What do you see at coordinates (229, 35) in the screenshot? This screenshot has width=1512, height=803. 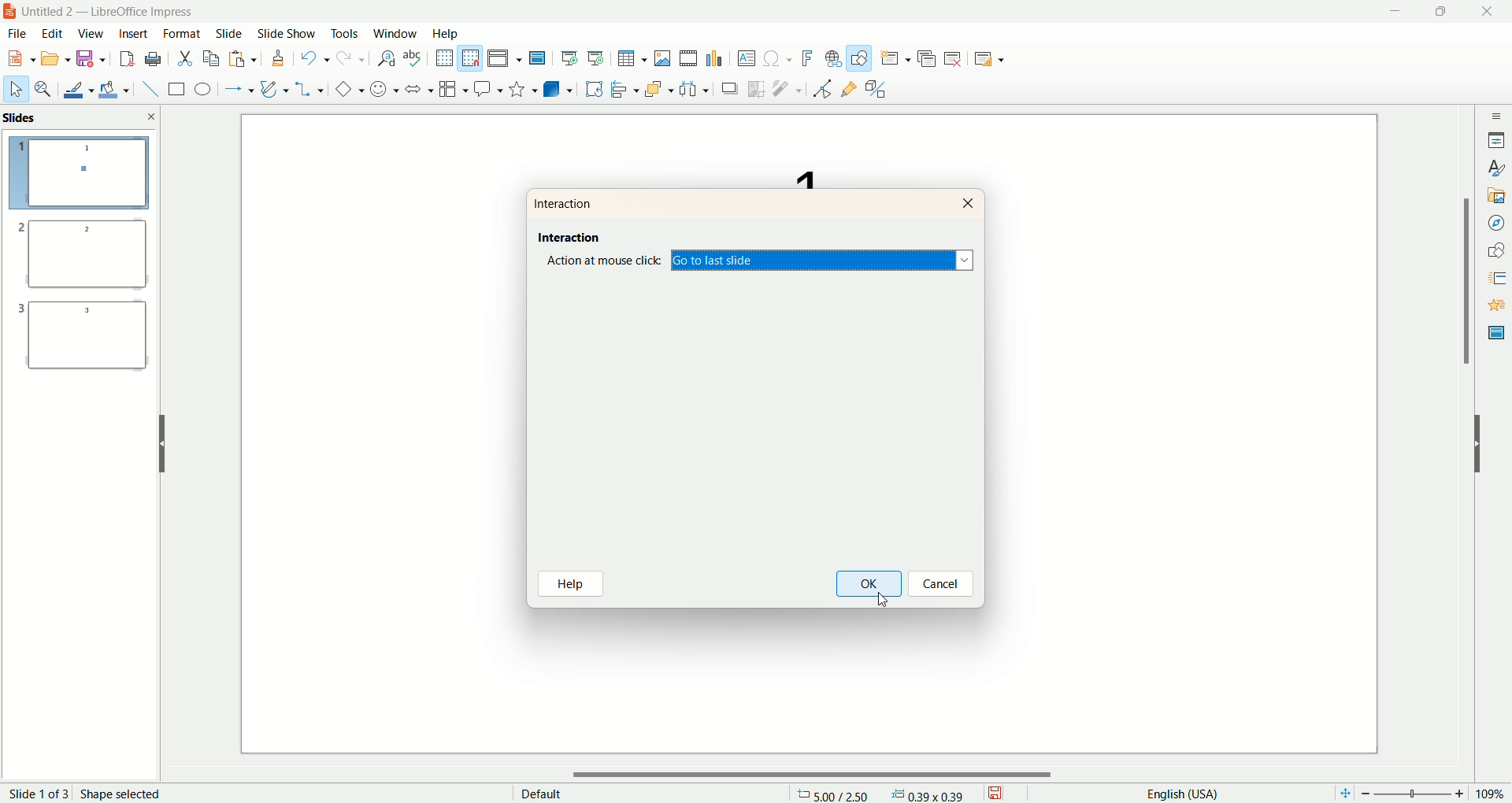 I see `slide` at bounding box center [229, 35].